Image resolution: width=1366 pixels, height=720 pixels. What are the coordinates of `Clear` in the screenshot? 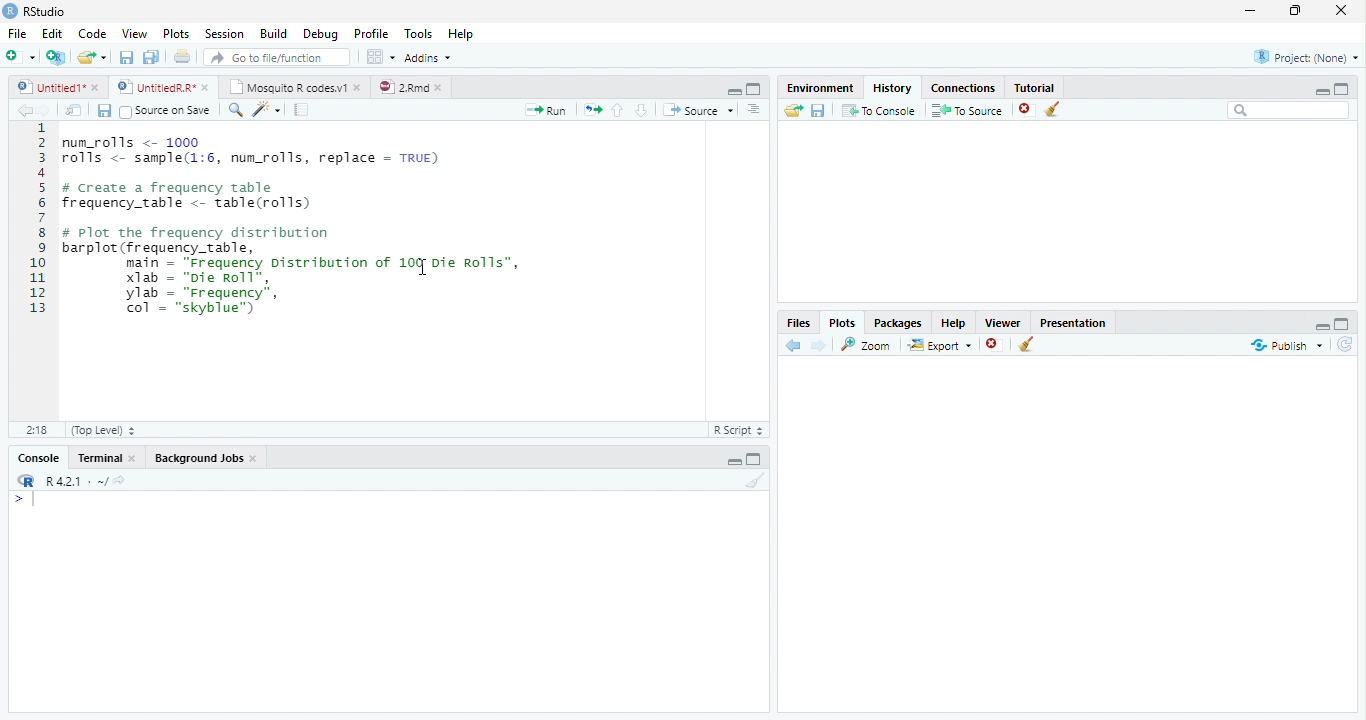 It's located at (754, 480).